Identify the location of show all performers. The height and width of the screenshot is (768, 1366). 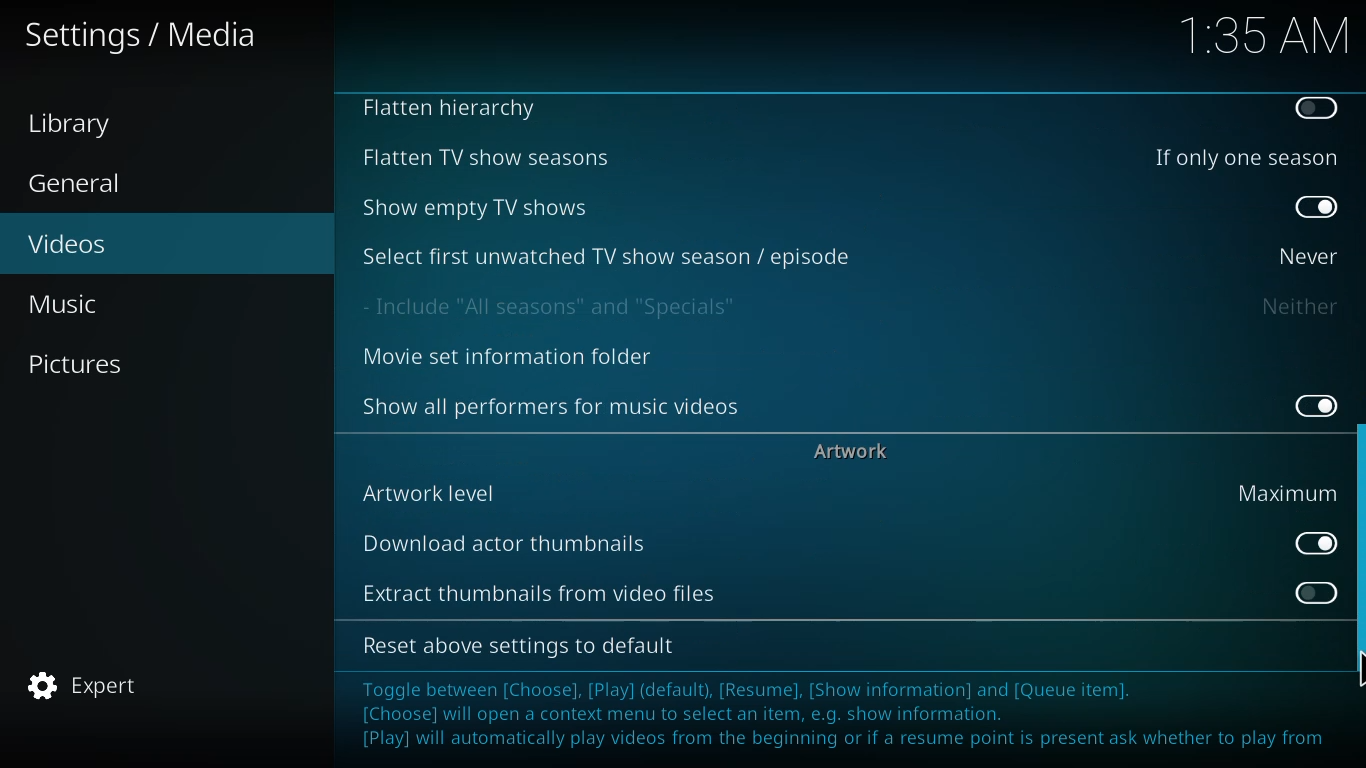
(553, 405).